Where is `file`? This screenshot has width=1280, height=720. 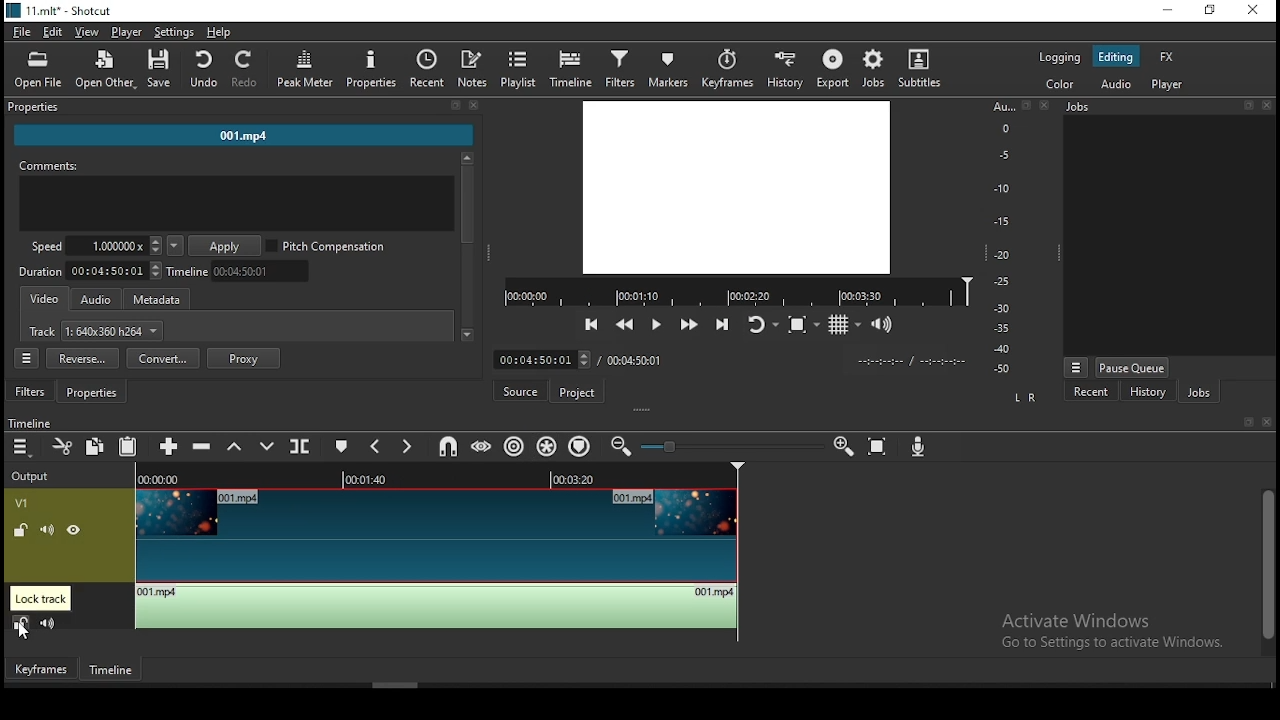 file is located at coordinates (21, 31).